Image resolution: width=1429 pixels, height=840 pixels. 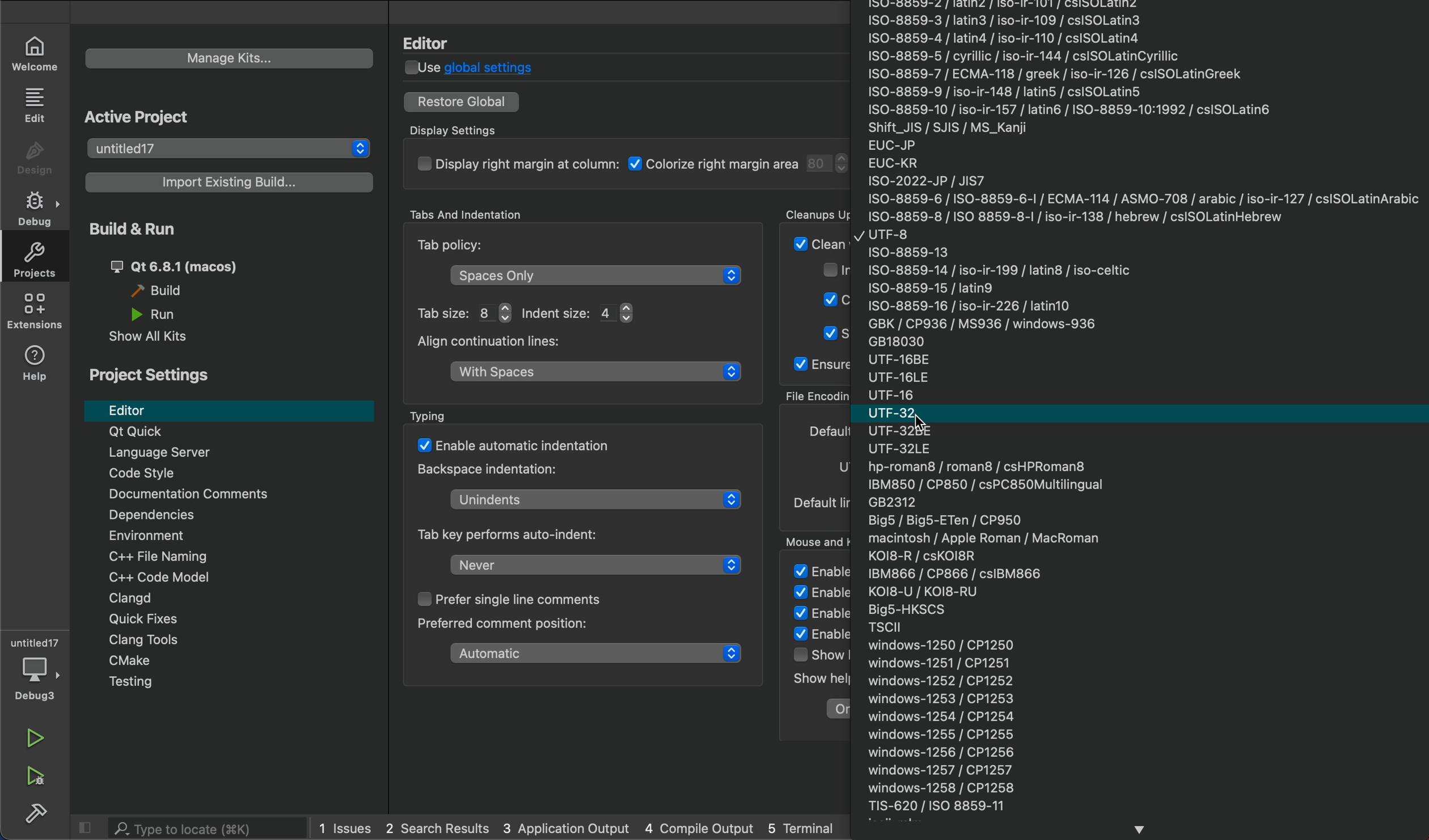 What do you see at coordinates (349, 828) in the screenshot?
I see `issues` at bounding box center [349, 828].